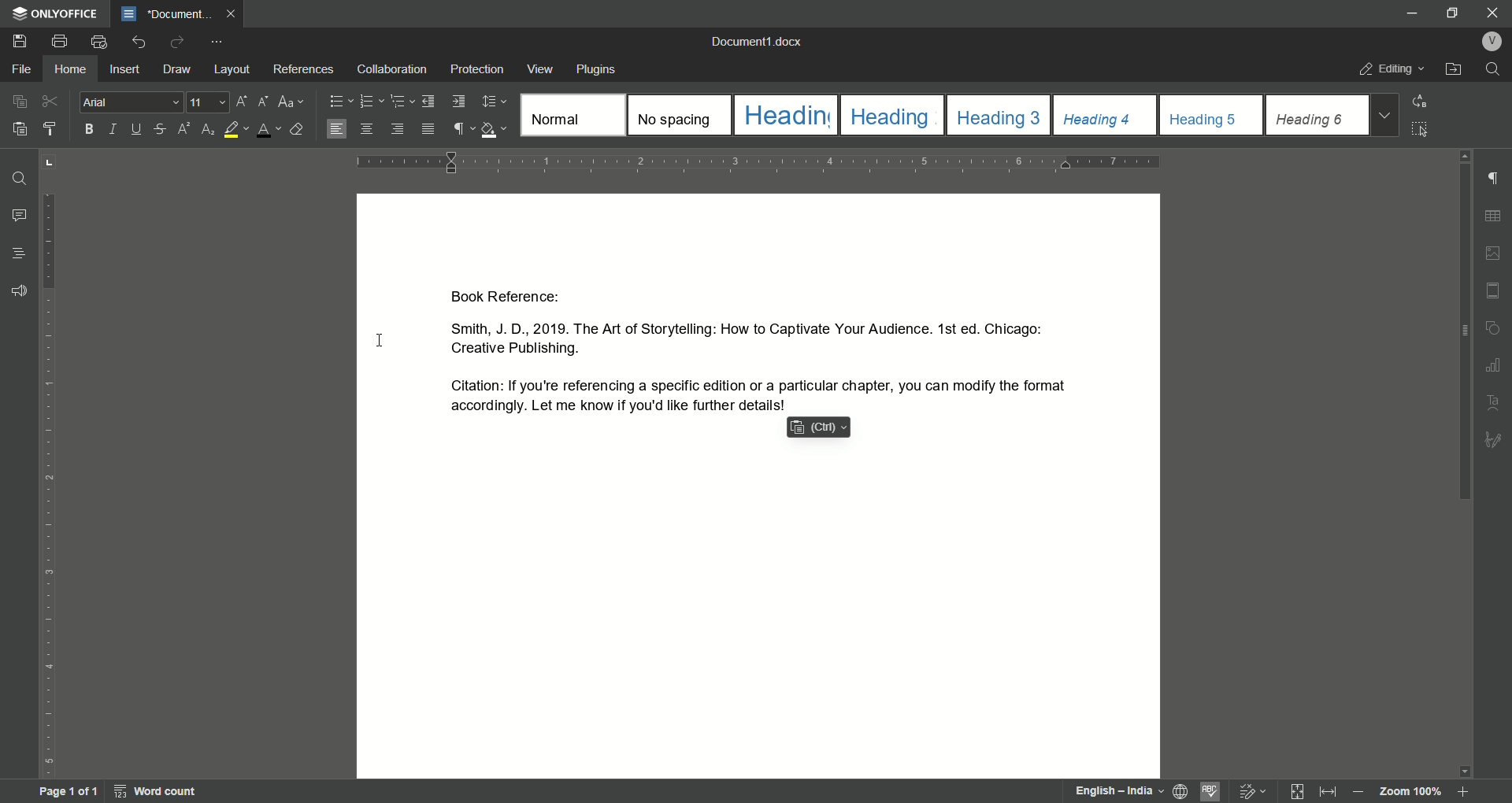  Describe the element at coordinates (100, 42) in the screenshot. I see `quick print` at that location.